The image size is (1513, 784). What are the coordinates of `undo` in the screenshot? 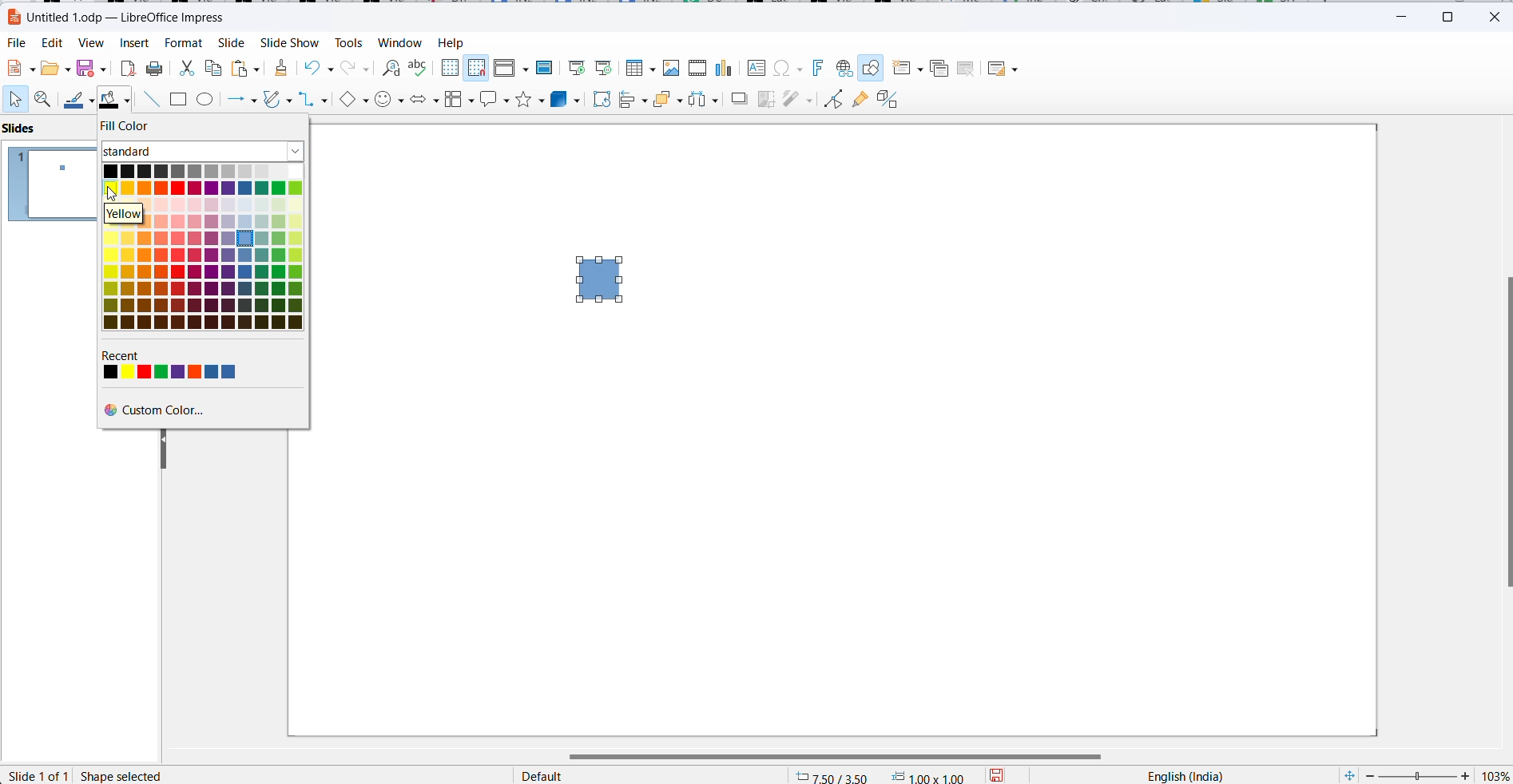 It's located at (323, 68).